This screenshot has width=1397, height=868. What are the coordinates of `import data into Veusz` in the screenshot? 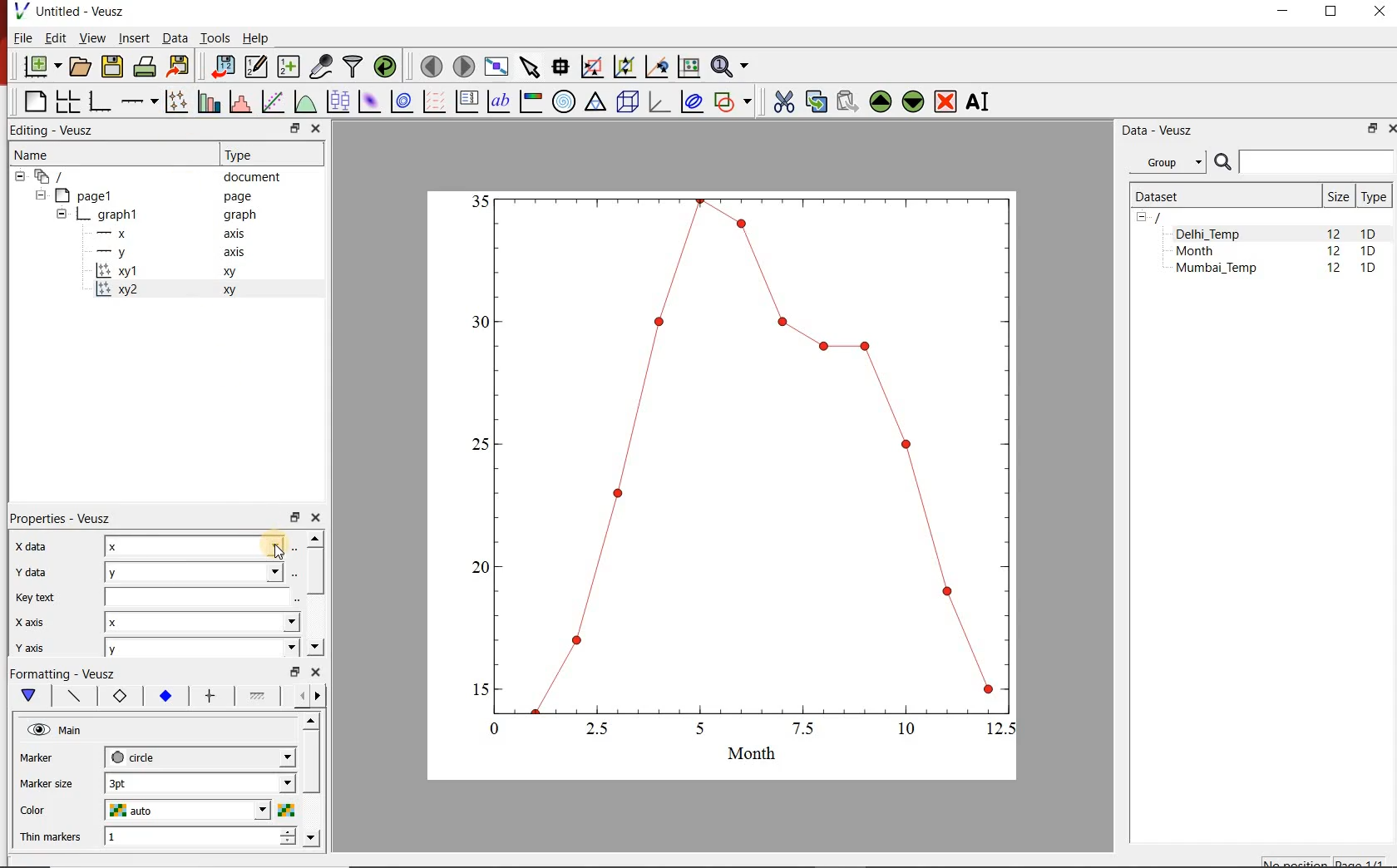 It's located at (221, 67).